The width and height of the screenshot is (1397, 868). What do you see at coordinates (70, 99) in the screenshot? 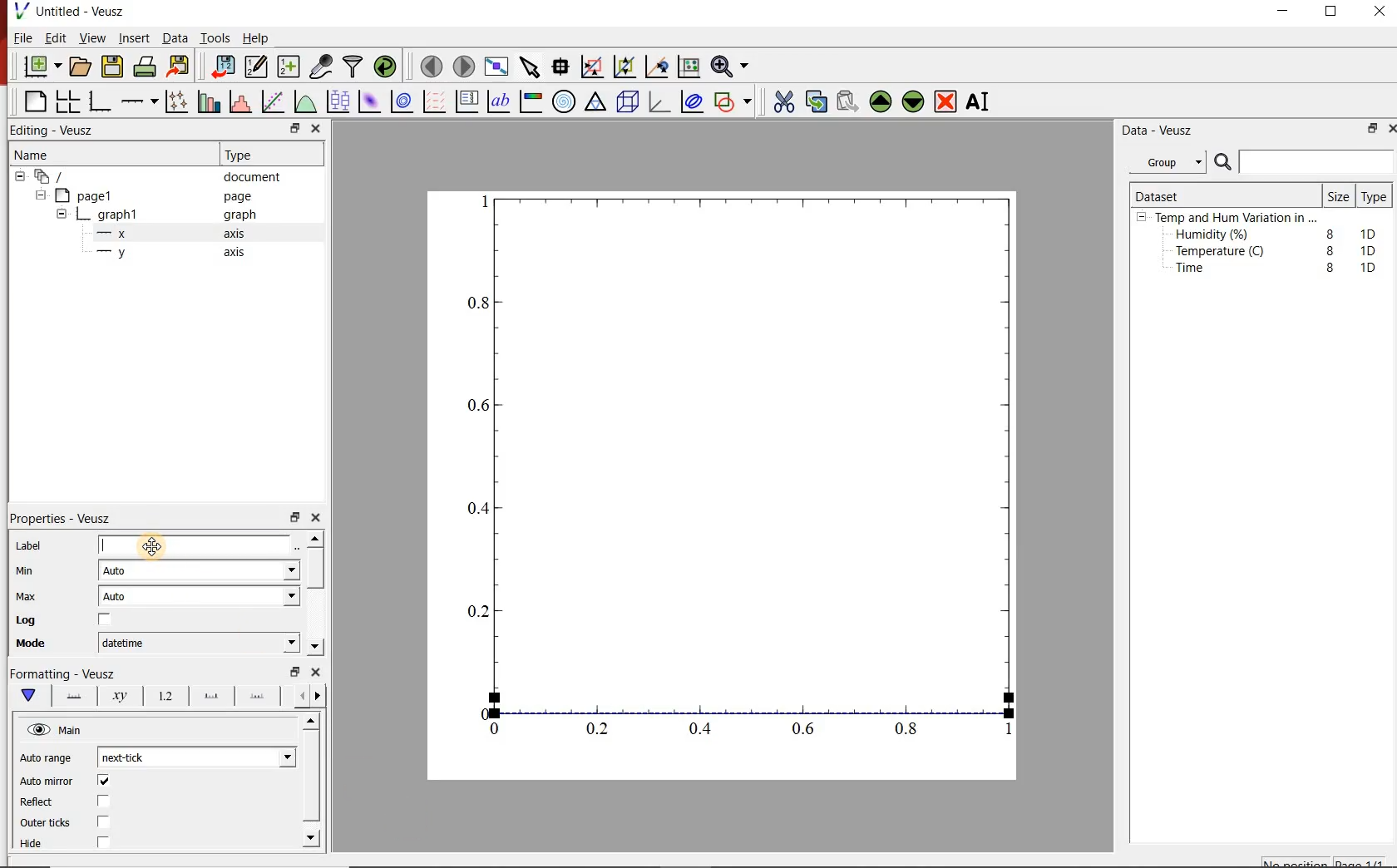
I see `arrange graphs in a grid` at bounding box center [70, 99].